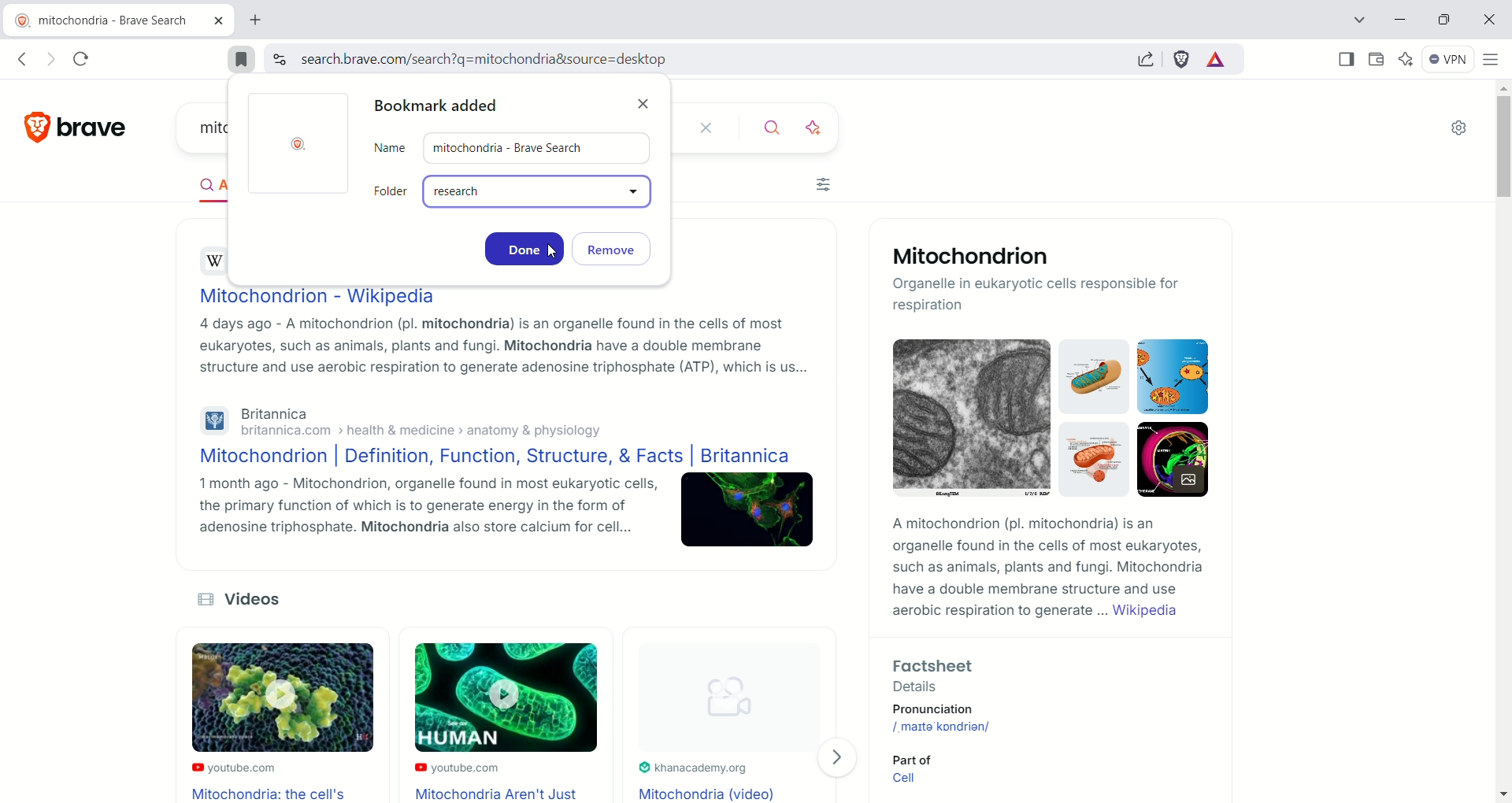  I want to click on close, so click(1488, 21).